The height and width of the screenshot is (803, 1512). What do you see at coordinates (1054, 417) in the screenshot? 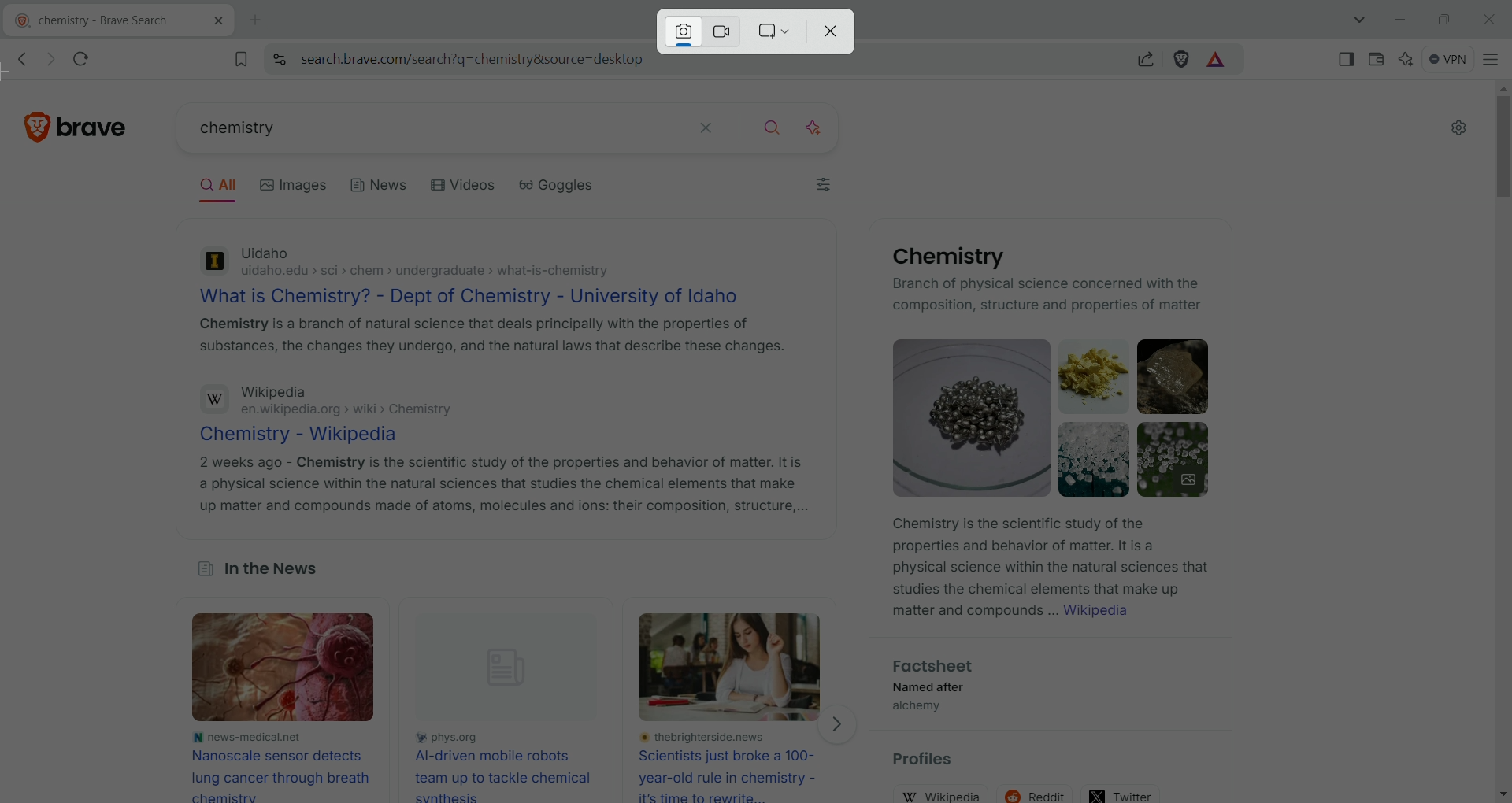
I see `Chemical compounds` at bounding box center [1054, 417].